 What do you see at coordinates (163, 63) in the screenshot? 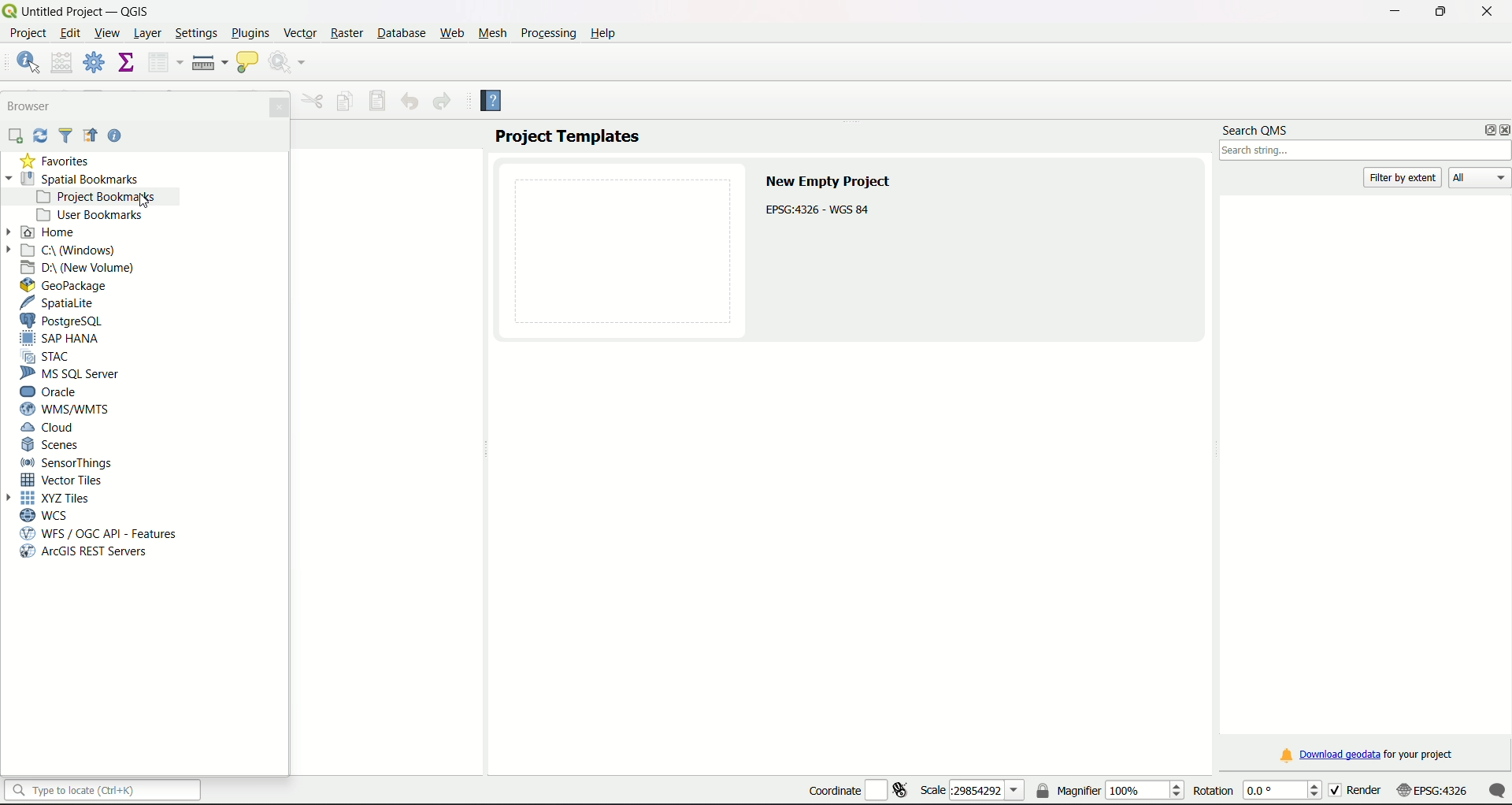
I see `open attribute table` at bounding box center [163, 63].